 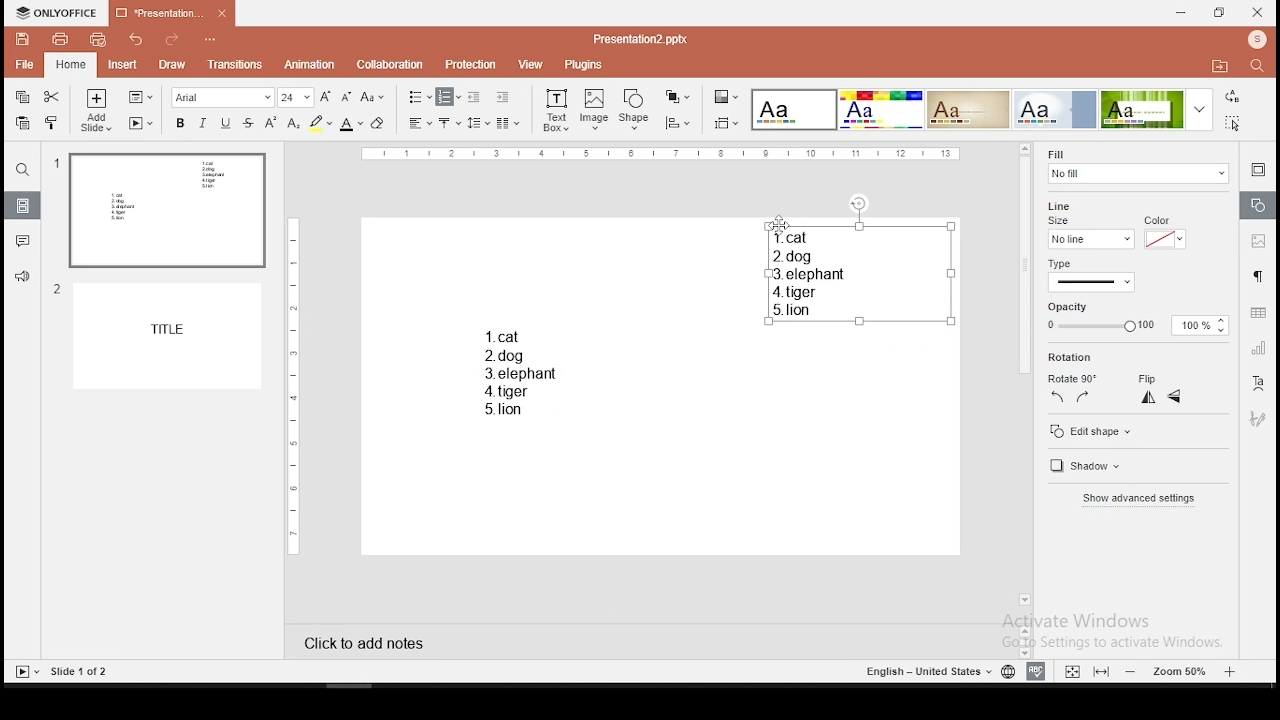 I want to click on underline, so click(x=225, y=123).